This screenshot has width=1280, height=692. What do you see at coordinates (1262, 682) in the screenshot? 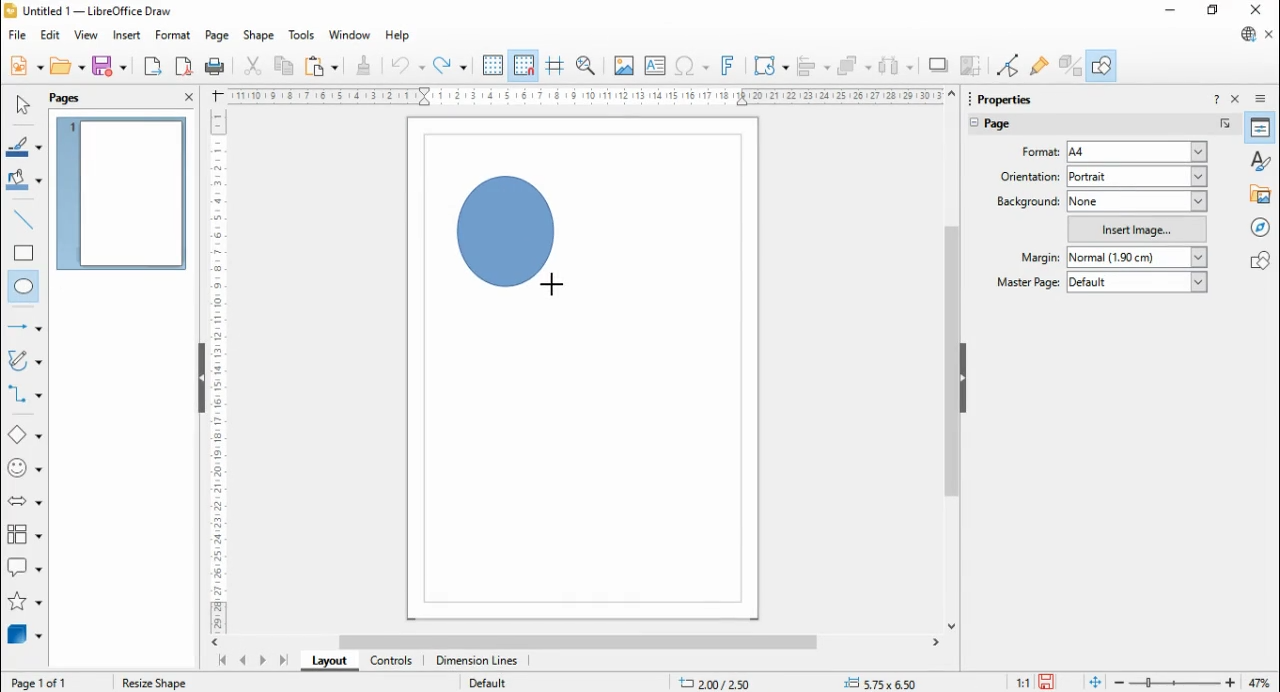
I see `47%` at bounding box center [1262, 682].